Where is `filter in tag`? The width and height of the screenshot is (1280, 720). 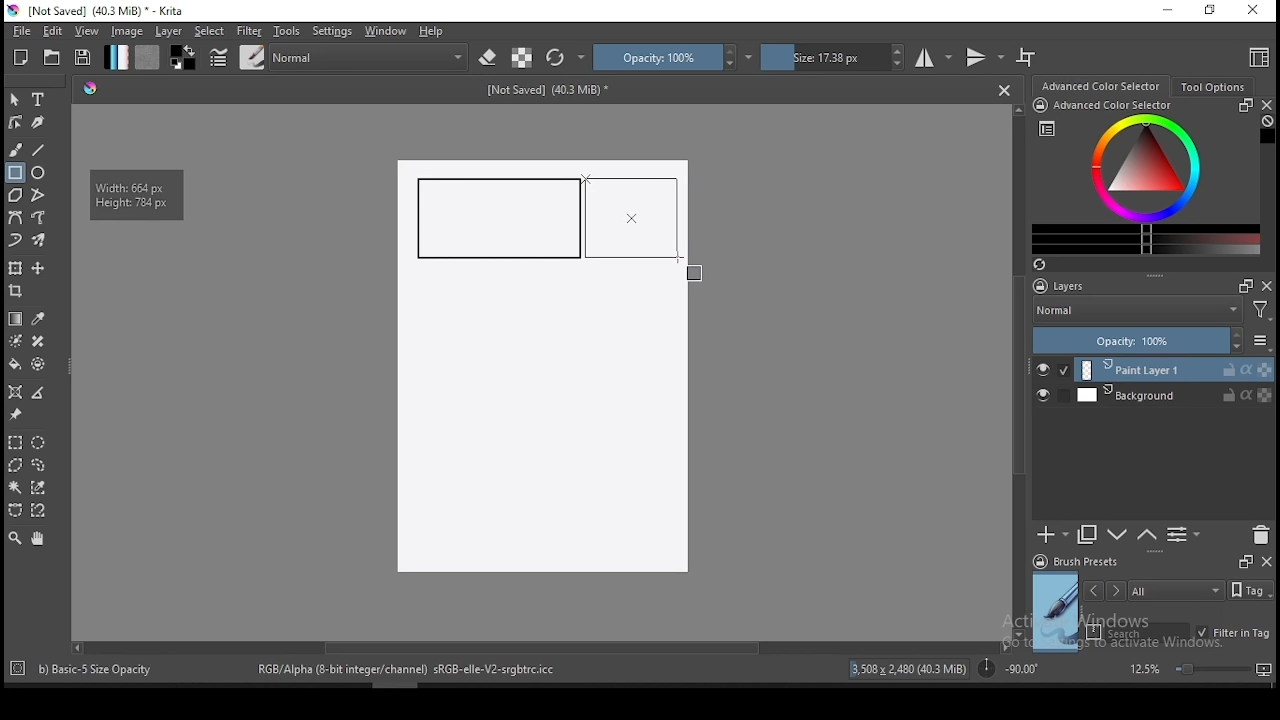
filter in tag is located at coordinates (1233, 634).